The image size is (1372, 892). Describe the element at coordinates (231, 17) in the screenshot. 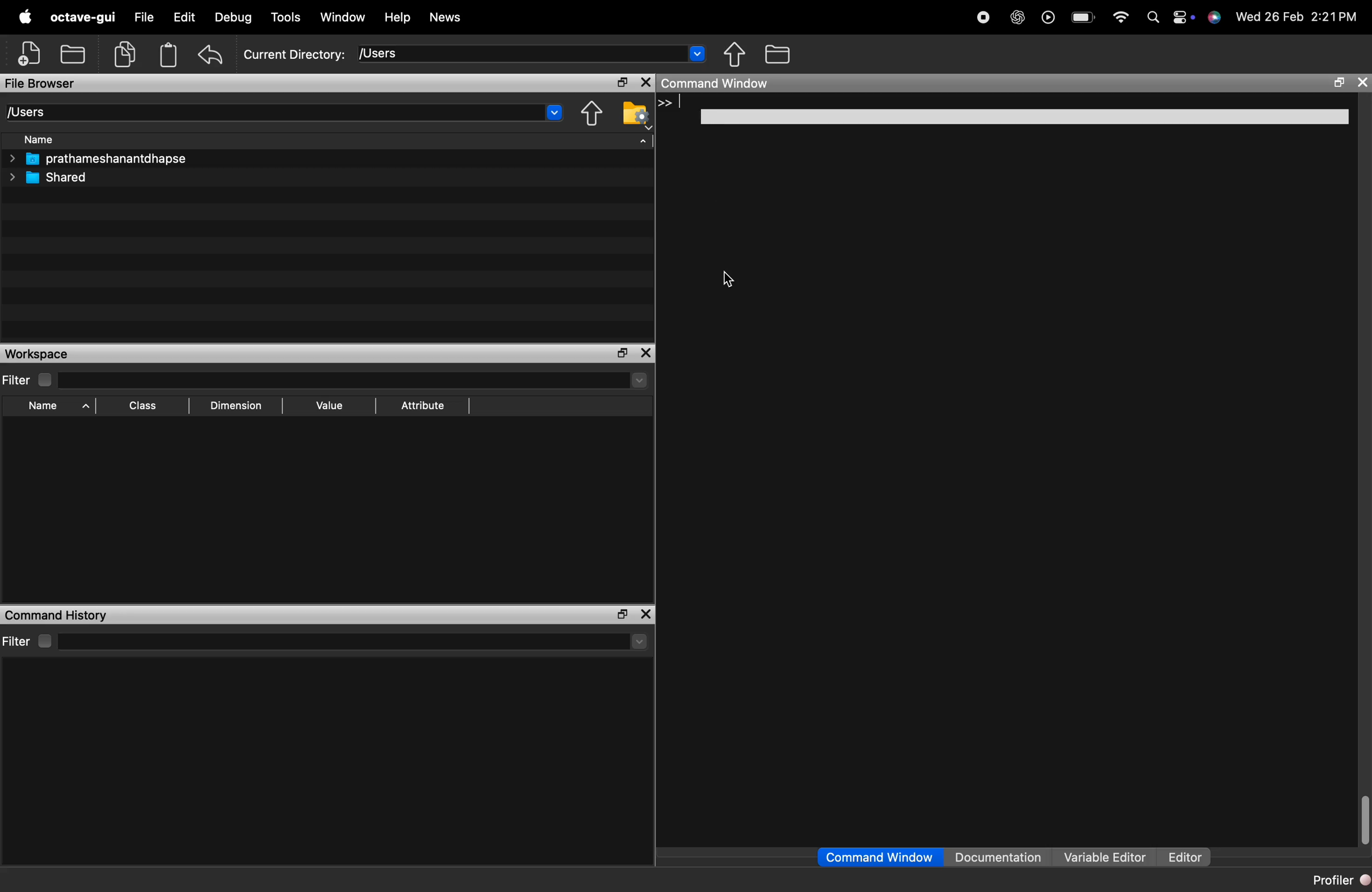

I see `Debug` at that location.